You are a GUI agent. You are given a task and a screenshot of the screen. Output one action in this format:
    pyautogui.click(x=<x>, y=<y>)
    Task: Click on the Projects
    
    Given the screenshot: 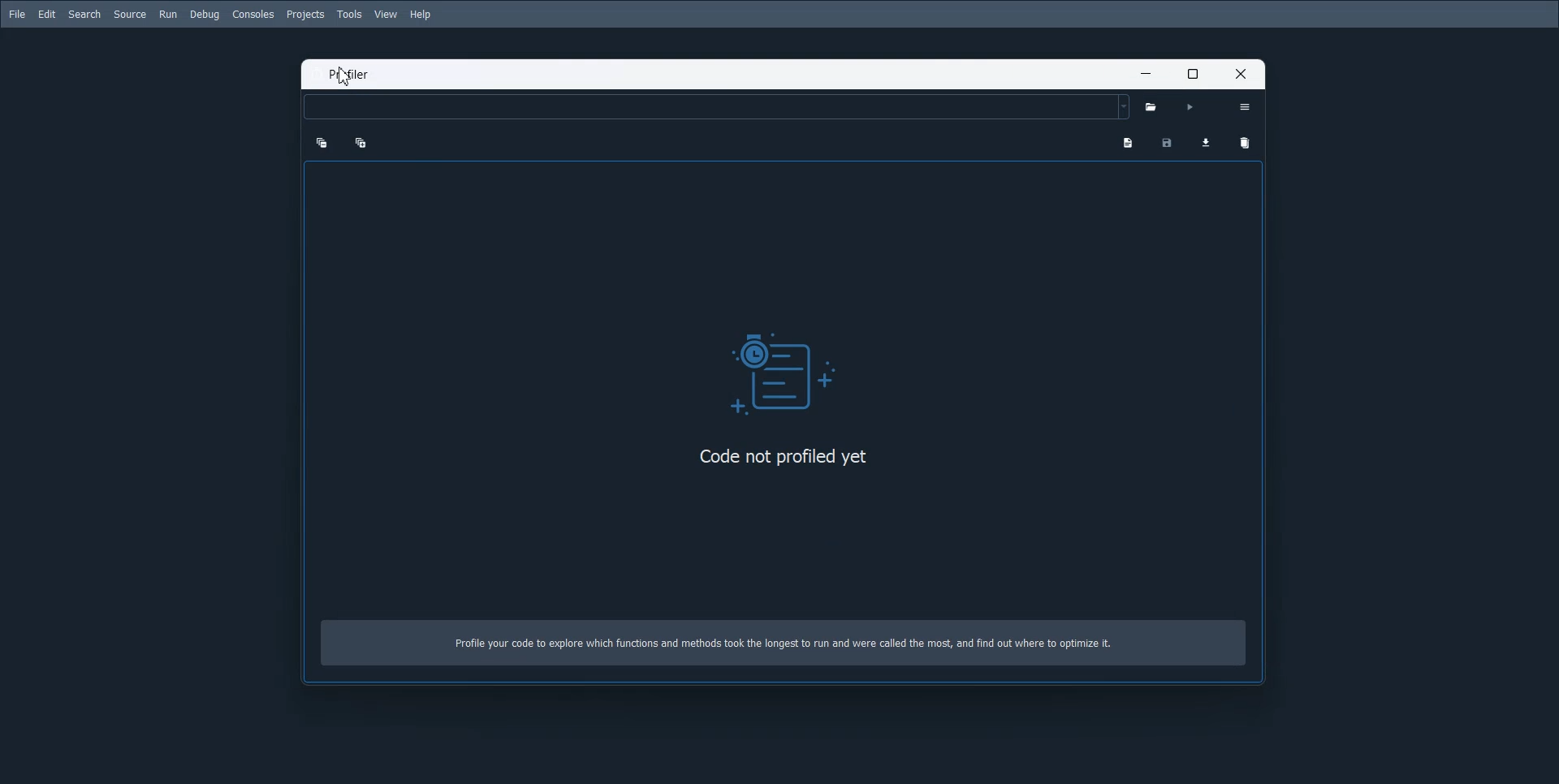 What is the action you would take?
    pyautogui.click(x=304, y=15)
    